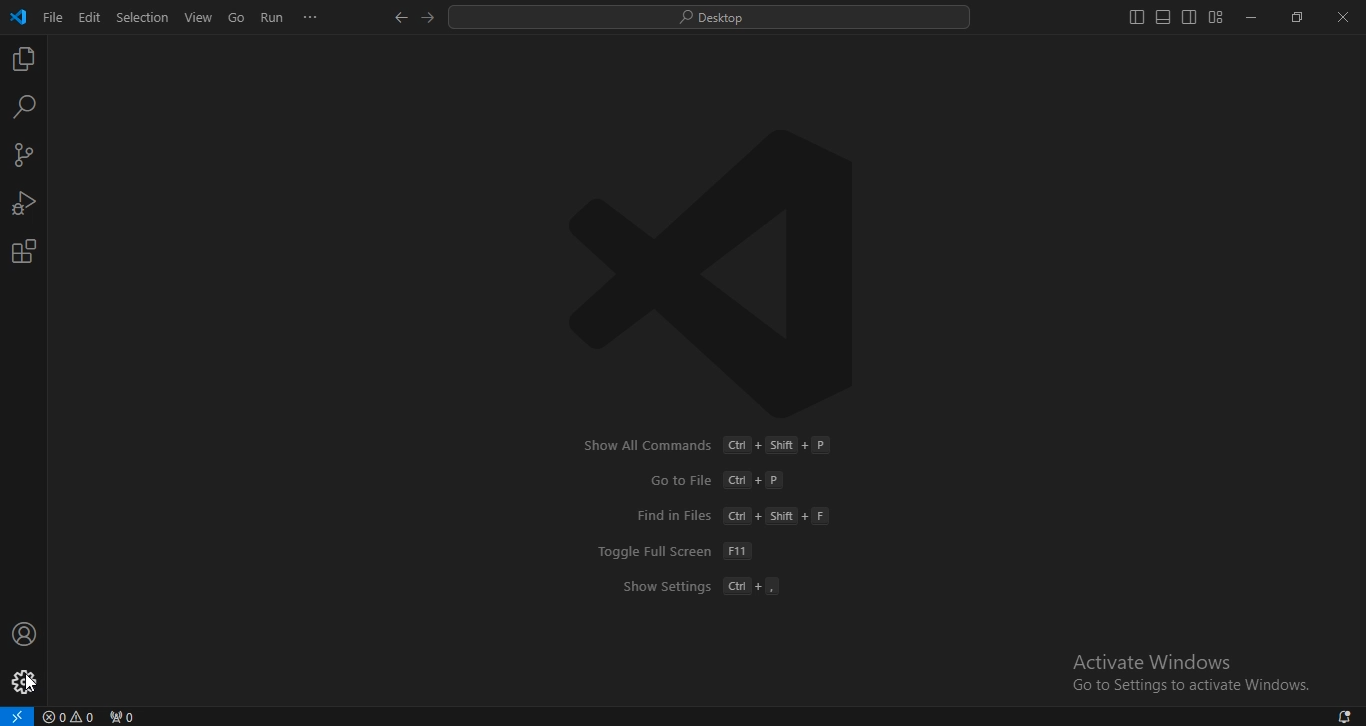  I want to click on text, so click(675, 551).